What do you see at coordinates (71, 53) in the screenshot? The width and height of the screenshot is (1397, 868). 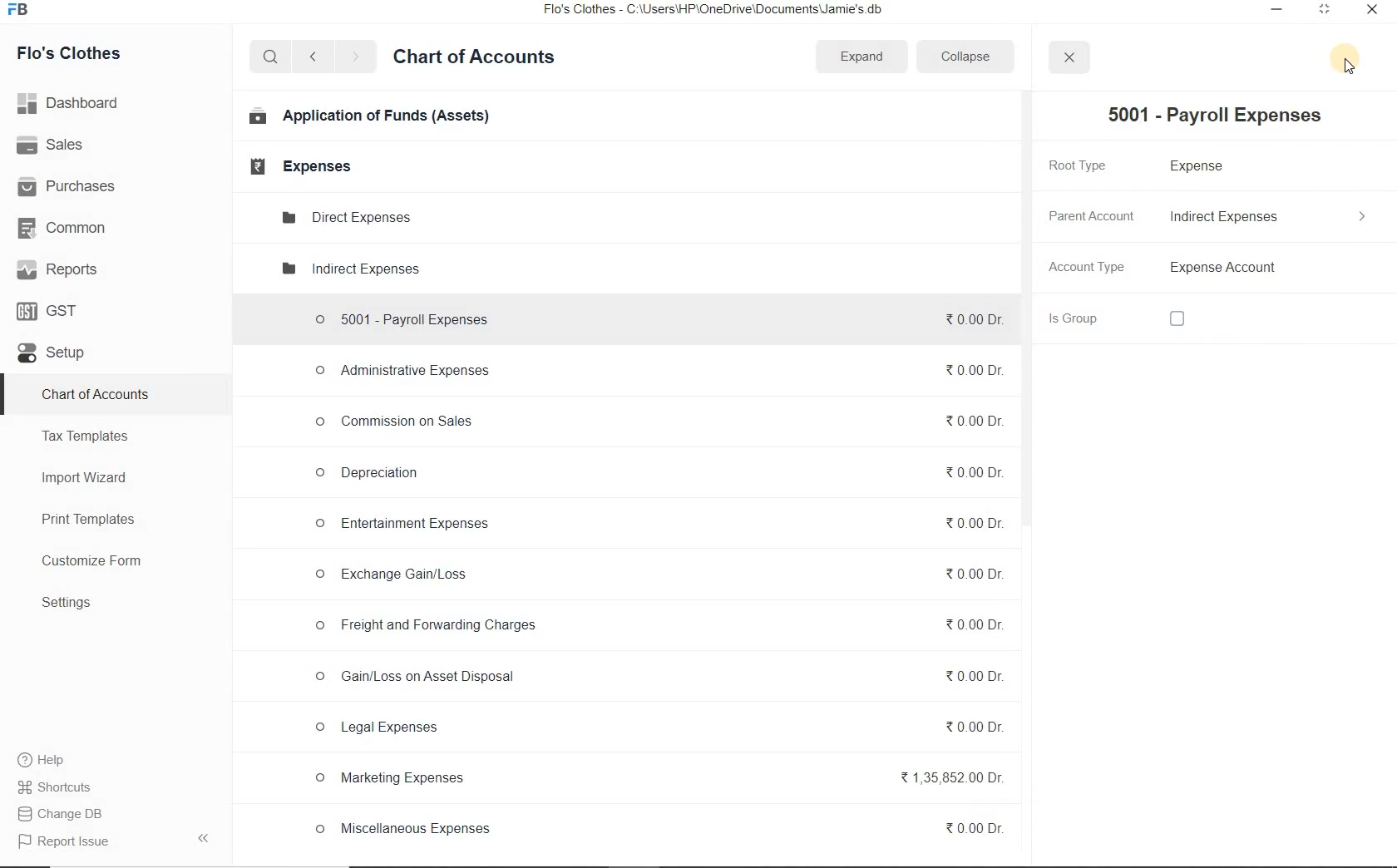 I see `Flo's Clothes` at bounding box center [71, 53].